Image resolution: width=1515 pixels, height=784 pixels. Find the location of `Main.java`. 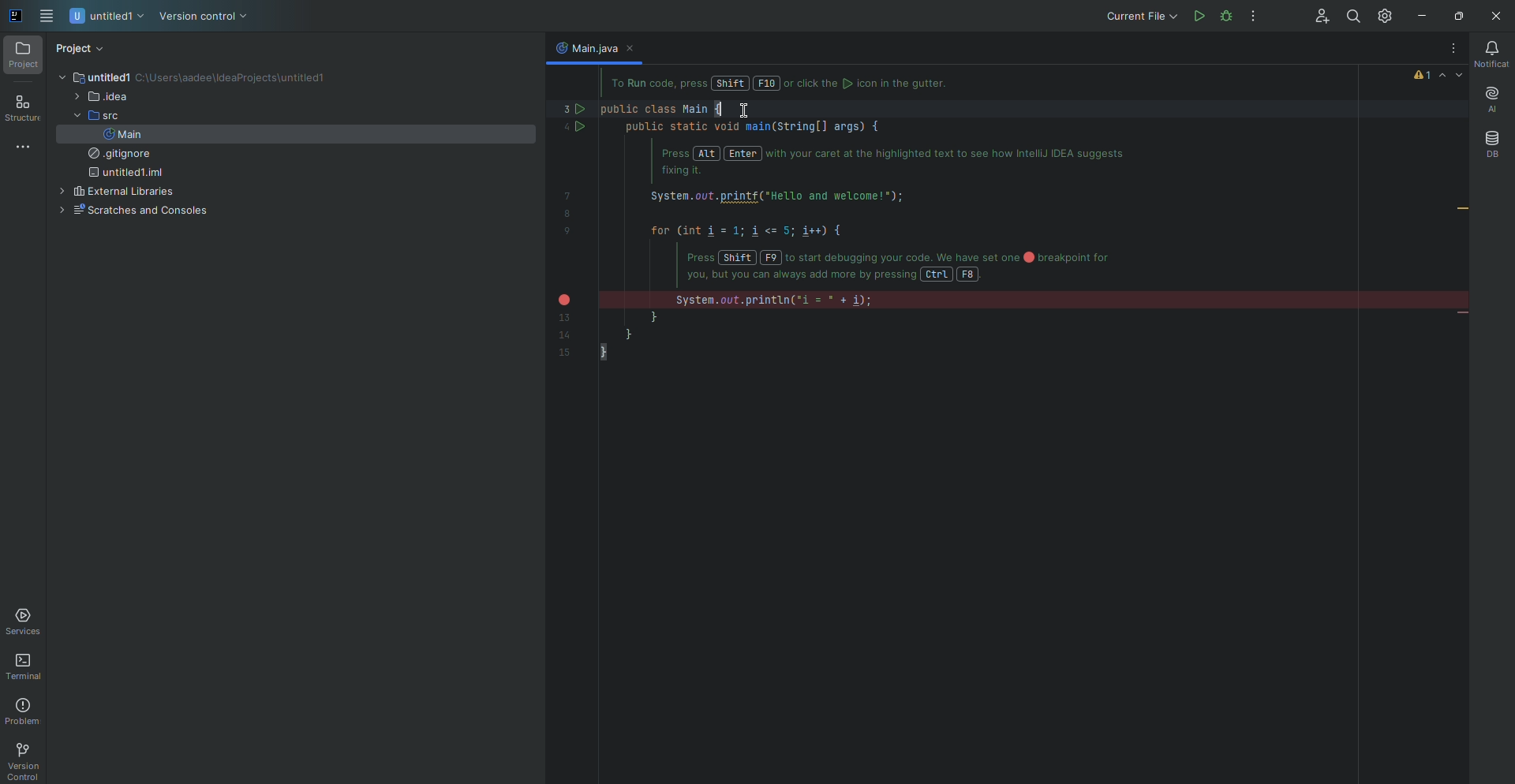

Main.java is located at coordinates (584, 48).